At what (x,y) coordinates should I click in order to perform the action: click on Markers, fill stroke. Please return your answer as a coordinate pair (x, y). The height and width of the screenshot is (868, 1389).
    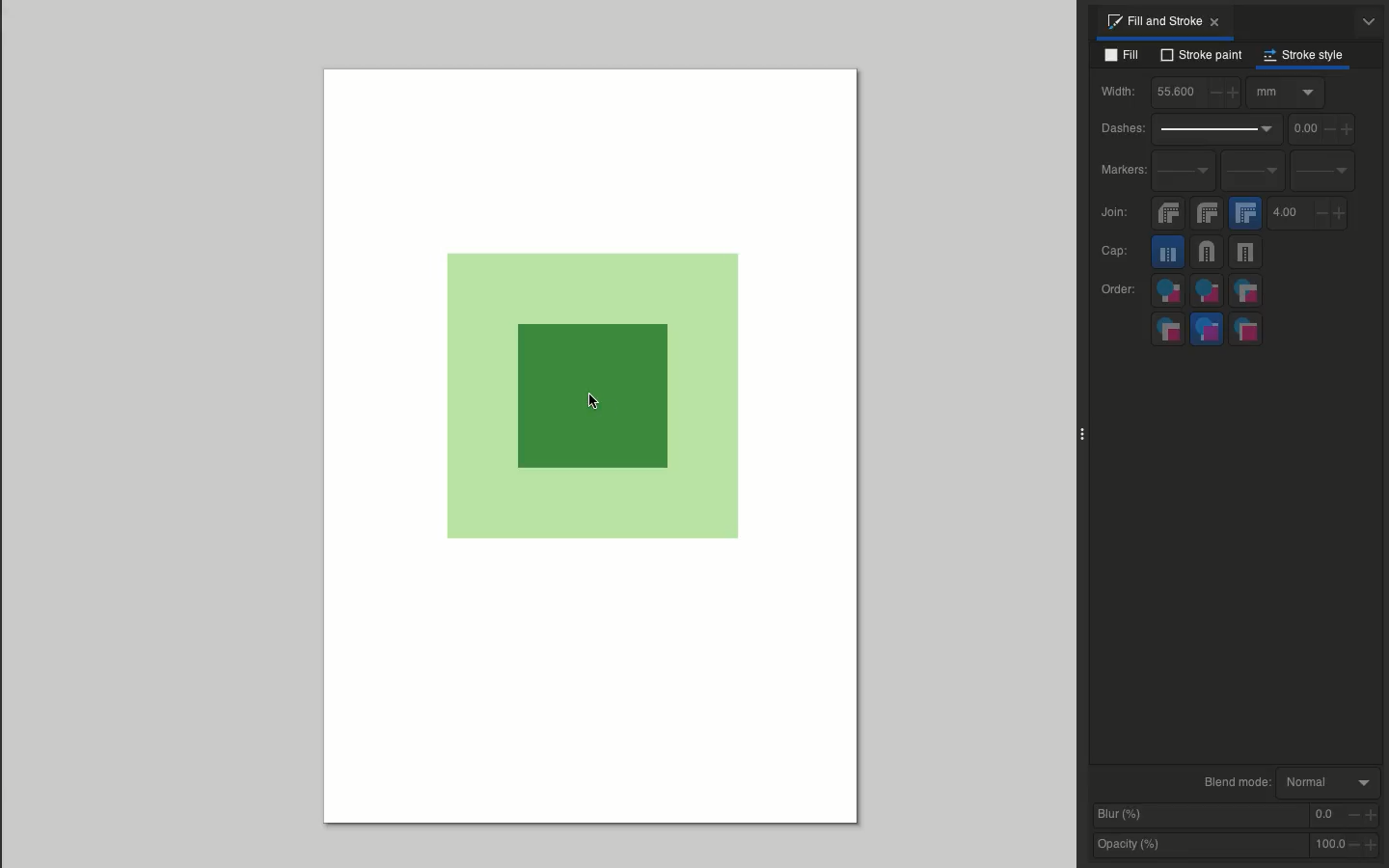
    Looking at the image, I should click on (1168, 329).